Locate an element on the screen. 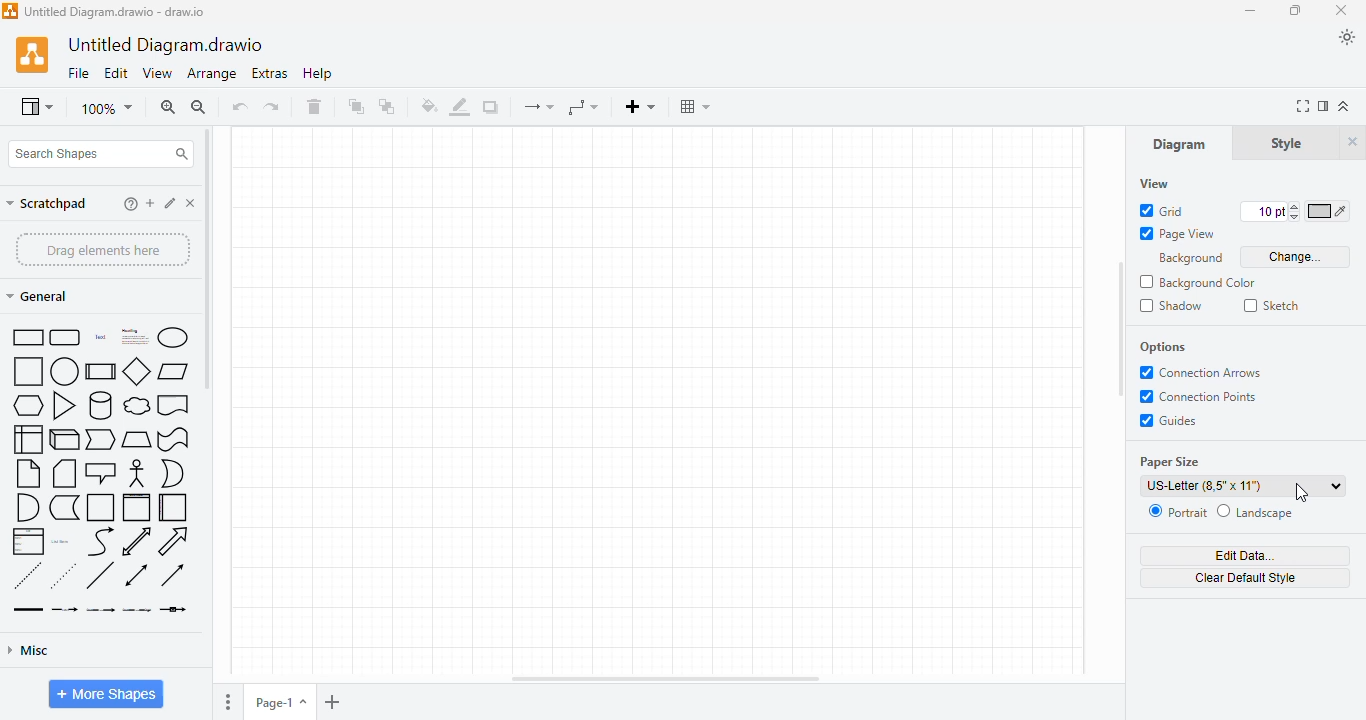  or is located at coordinates (172, 474).